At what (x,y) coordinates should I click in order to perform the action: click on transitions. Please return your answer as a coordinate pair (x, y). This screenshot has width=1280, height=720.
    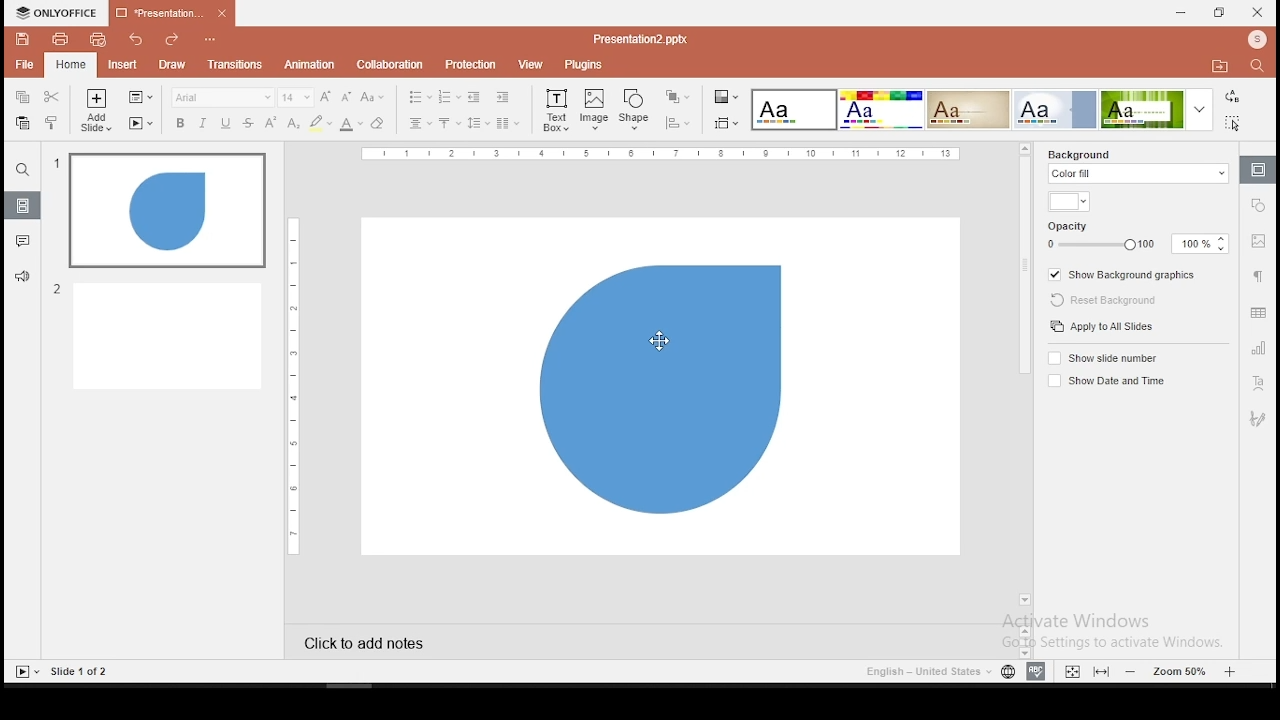
    Looking at the image, I should click on (234, 64).